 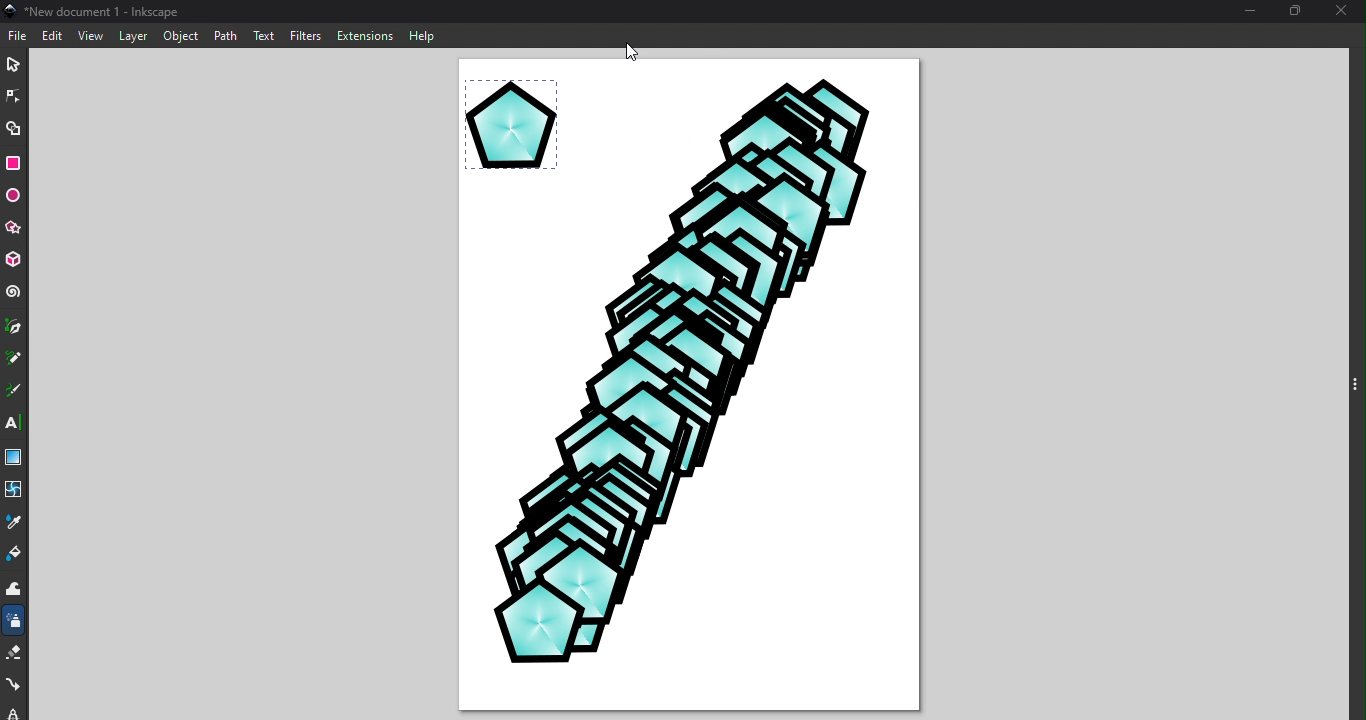 I want to click on Text tool, so click(x=13, y=423).